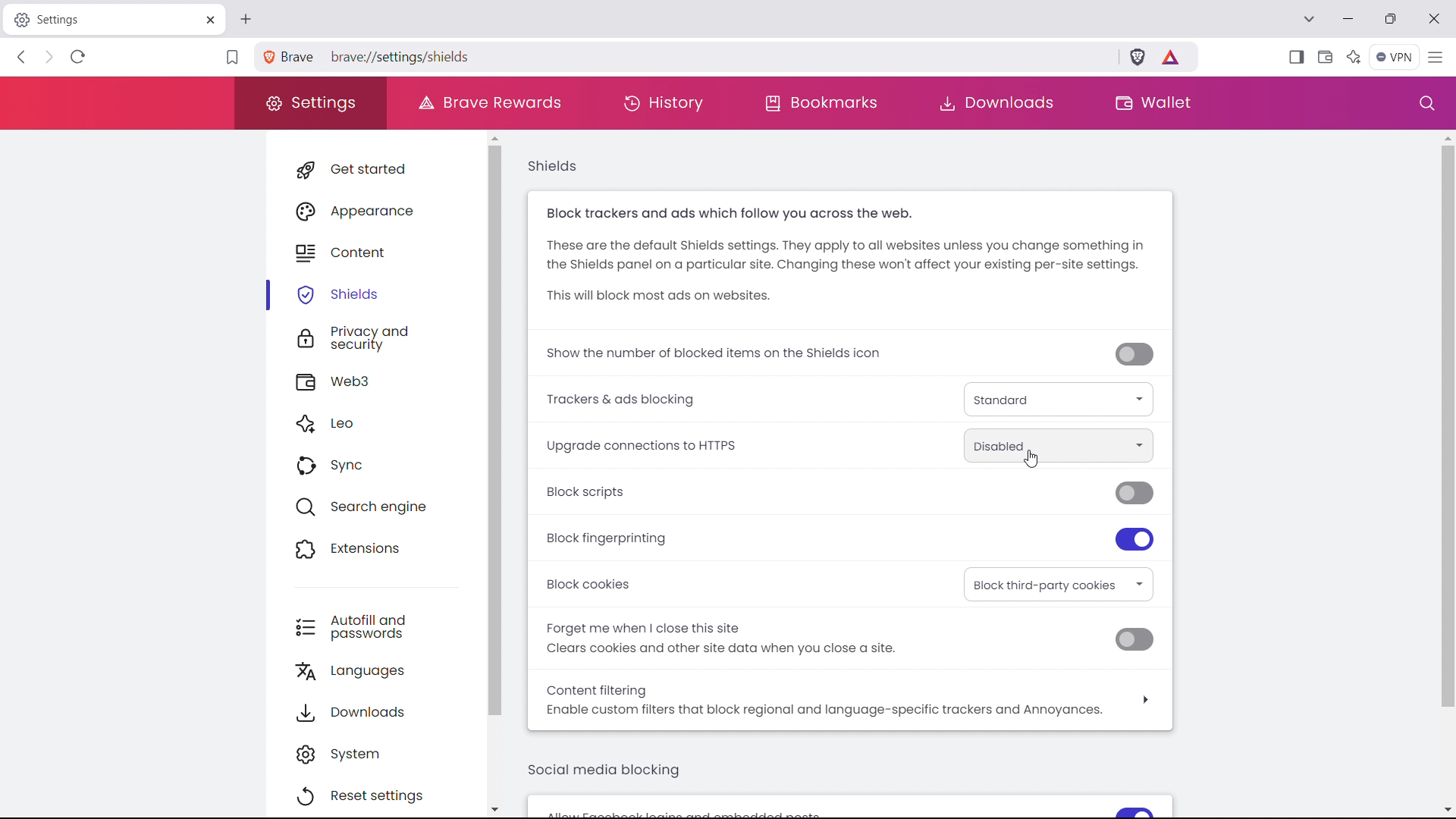 This screenshot has height=819, width=1456. What do you see at coordinates (1150, 102) in the screenshot?
I see `wallet` at bounding box center [1150, 102].